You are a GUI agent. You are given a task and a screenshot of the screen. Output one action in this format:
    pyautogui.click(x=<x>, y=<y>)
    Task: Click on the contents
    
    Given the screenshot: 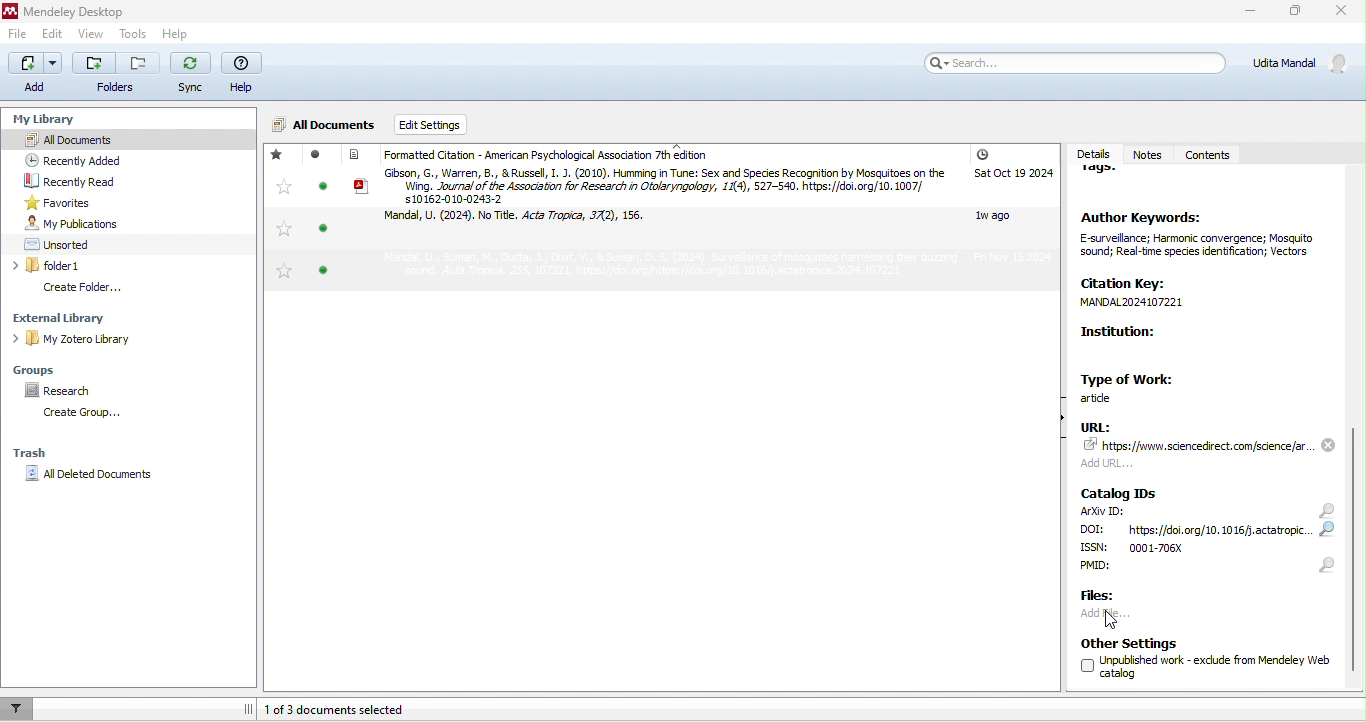 What is the action you would take?
    pyautogui.click(x=1210, y=156)
    